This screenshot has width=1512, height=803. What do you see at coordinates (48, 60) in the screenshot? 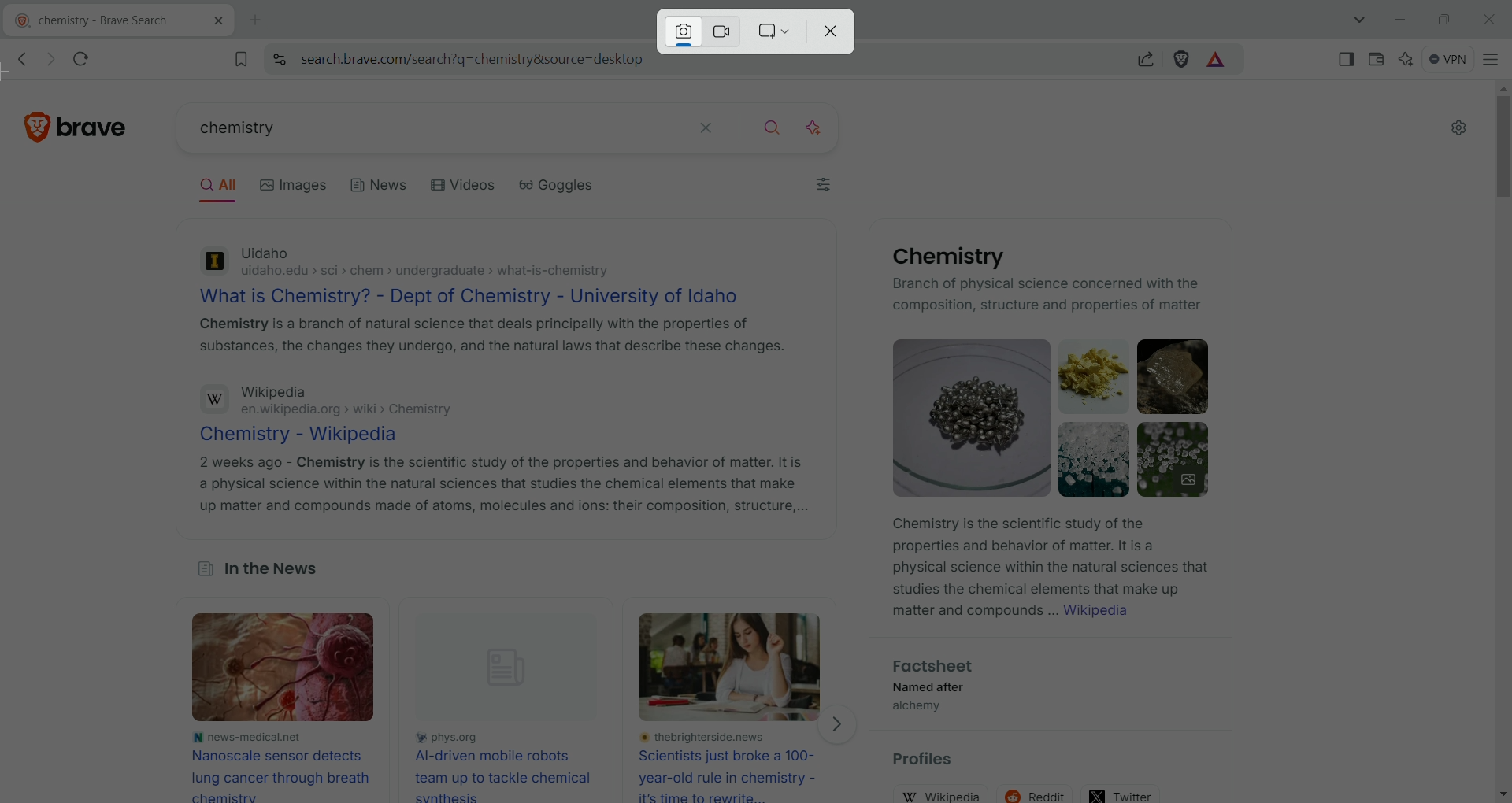
I see `go forward` at bounding box center [48, 60].